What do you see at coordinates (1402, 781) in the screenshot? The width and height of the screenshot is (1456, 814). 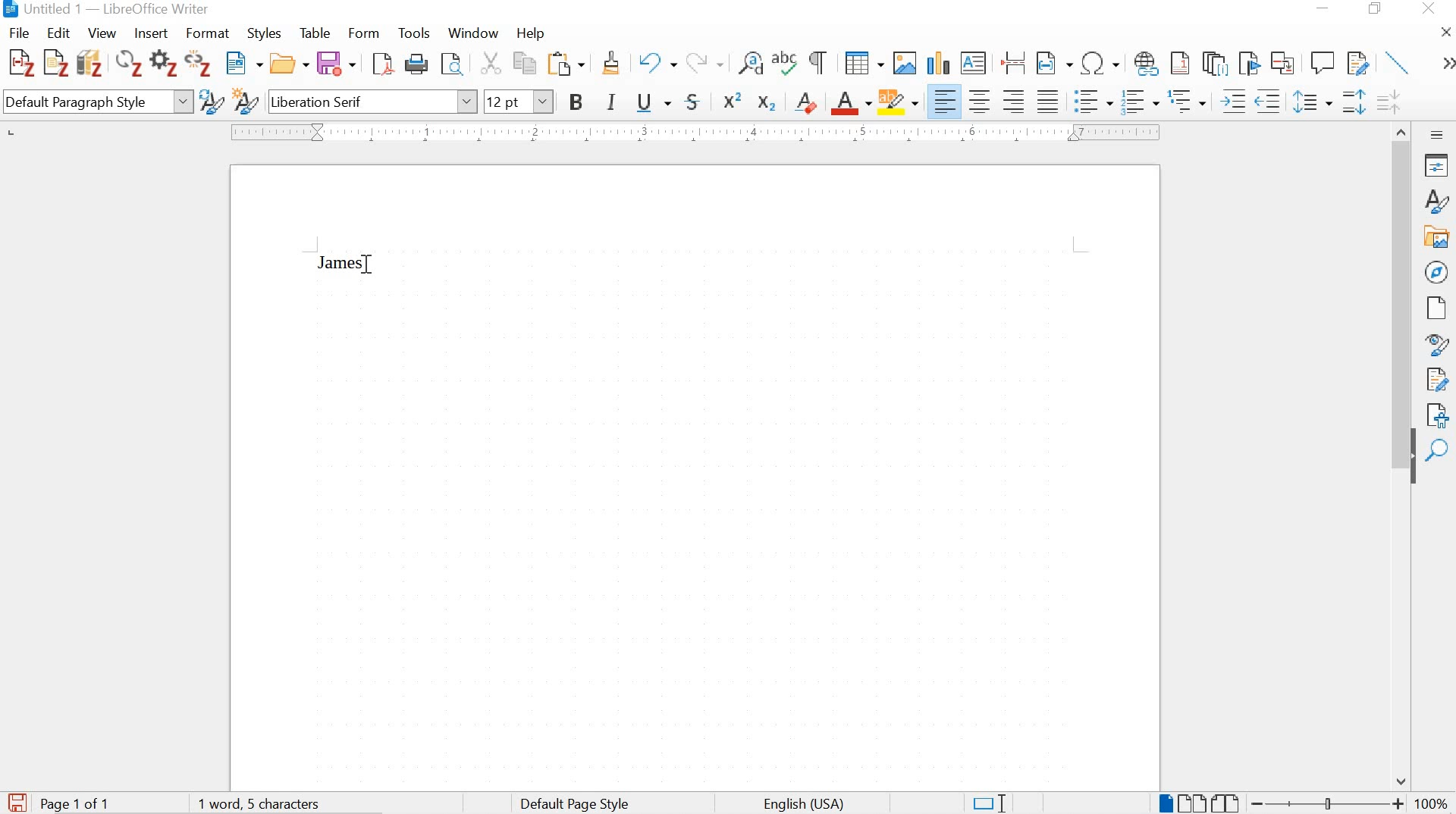 I see `move down` at bounding box center [1402, 781].